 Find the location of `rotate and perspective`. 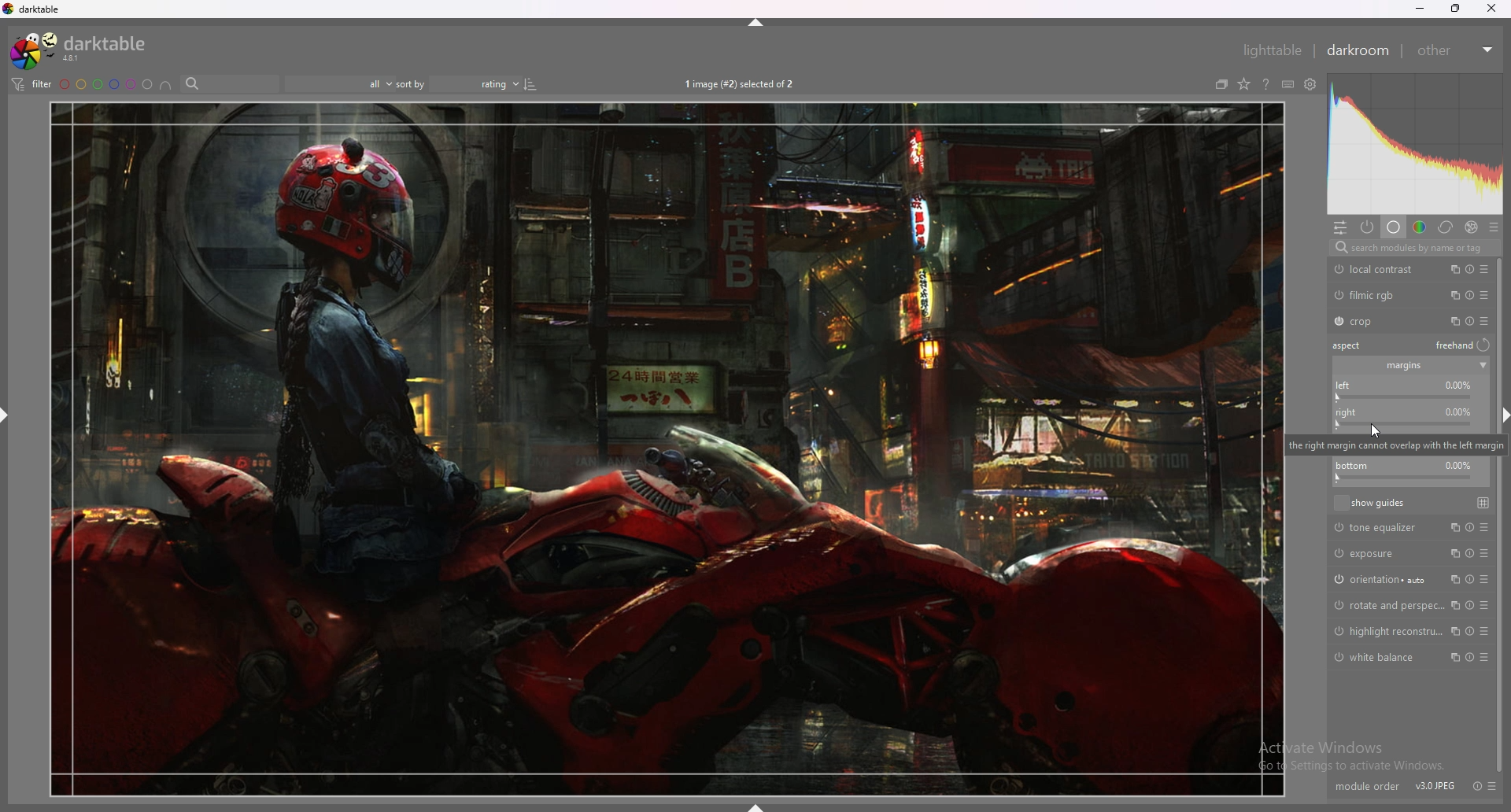

rotate and perspective is located at coordinates (1385, 606).